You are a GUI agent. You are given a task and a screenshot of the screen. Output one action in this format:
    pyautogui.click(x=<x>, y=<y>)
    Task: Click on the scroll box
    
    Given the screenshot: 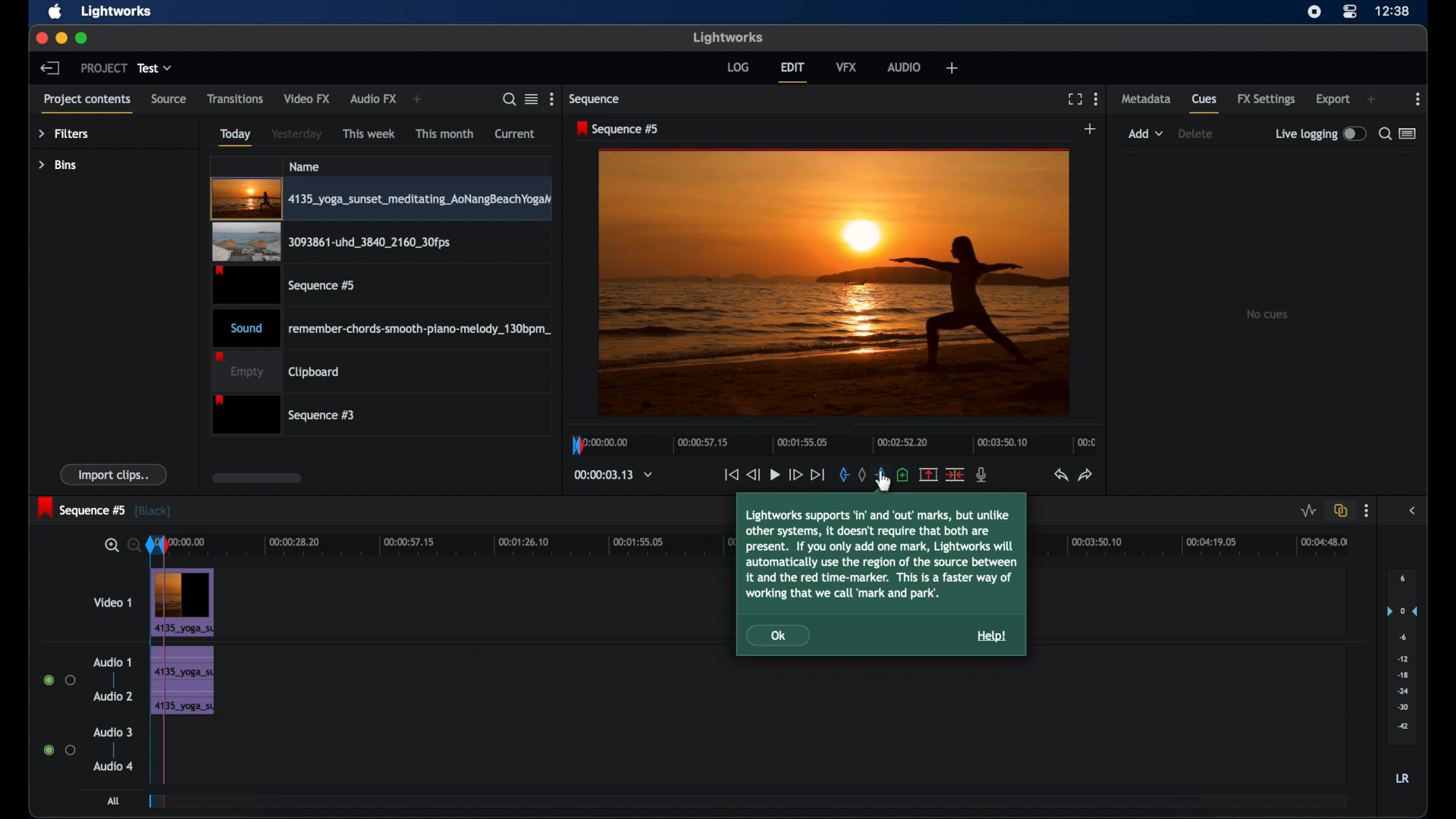 What is the action you would take?
    pyautogui.click(x=256, y=477)
    